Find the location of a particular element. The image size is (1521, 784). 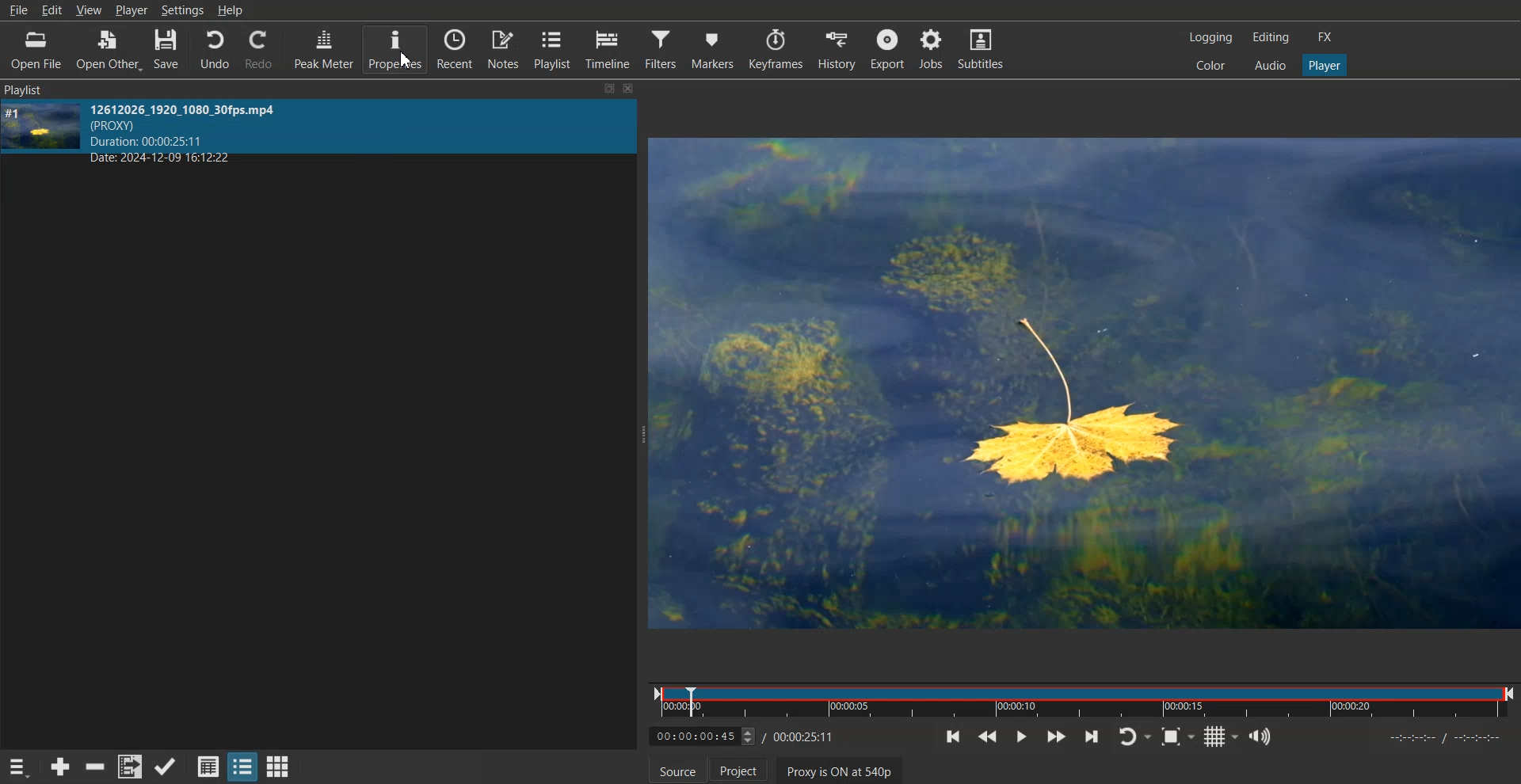

Cursor is located at coordinates (406, 60).